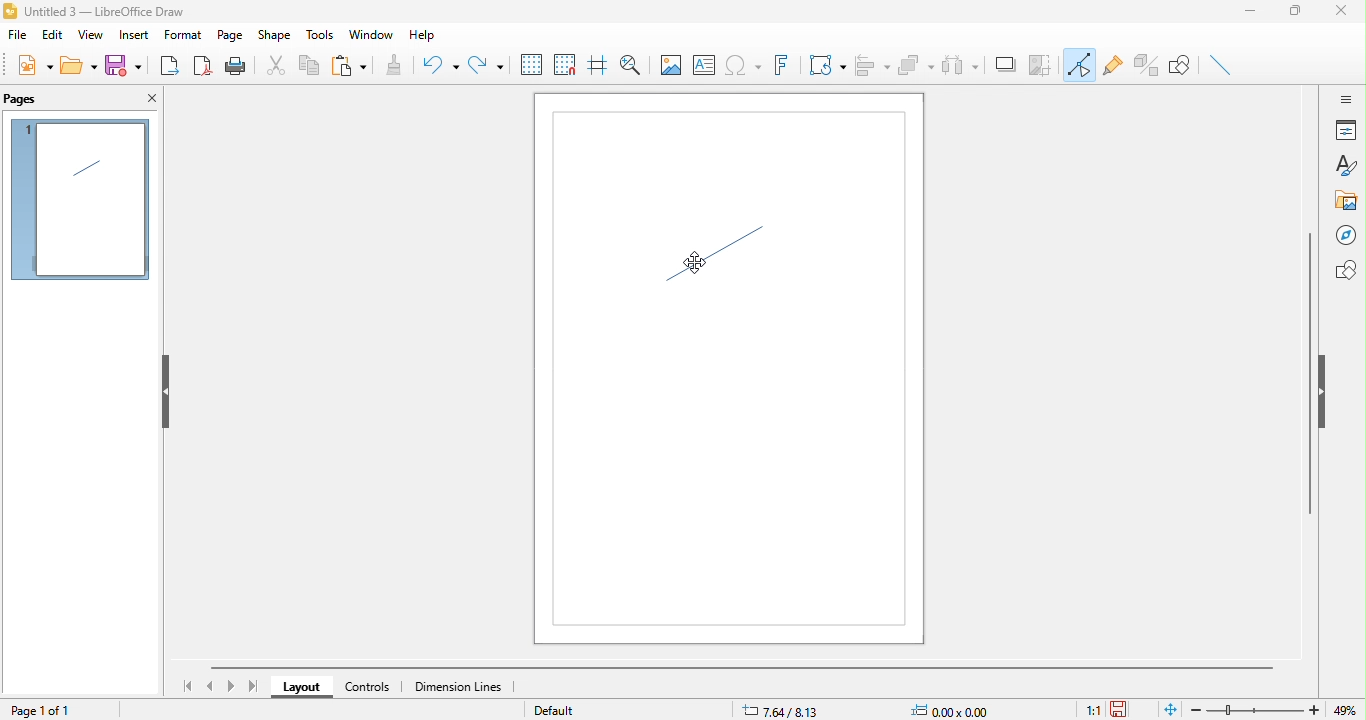 The image size is (1366, 720). Describe the element at coordinates (957, 711) in the screenshot. I see `0.00x0.00` at that location.